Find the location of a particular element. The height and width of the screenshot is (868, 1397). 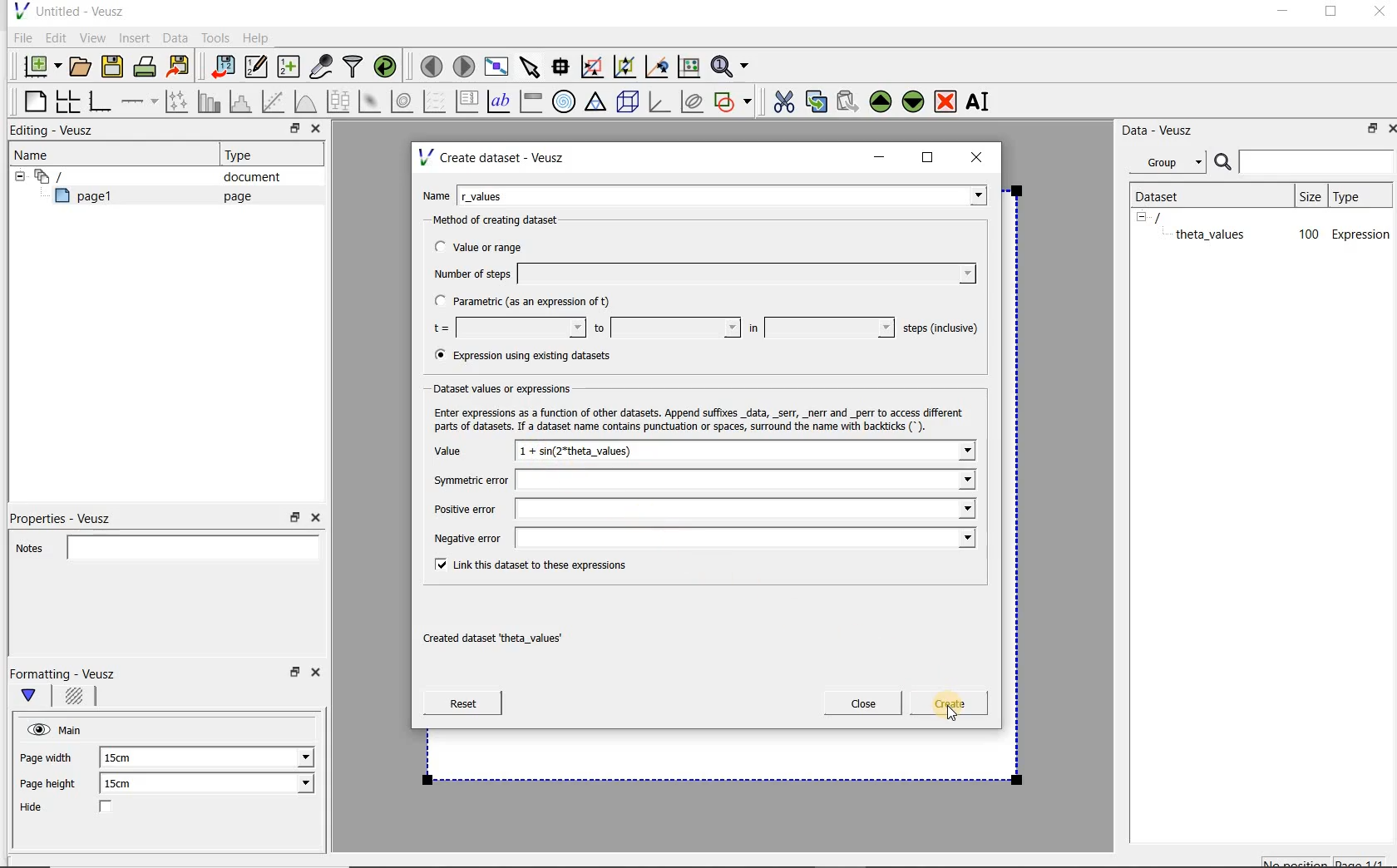

maximize is located at coordinates (928, 158).